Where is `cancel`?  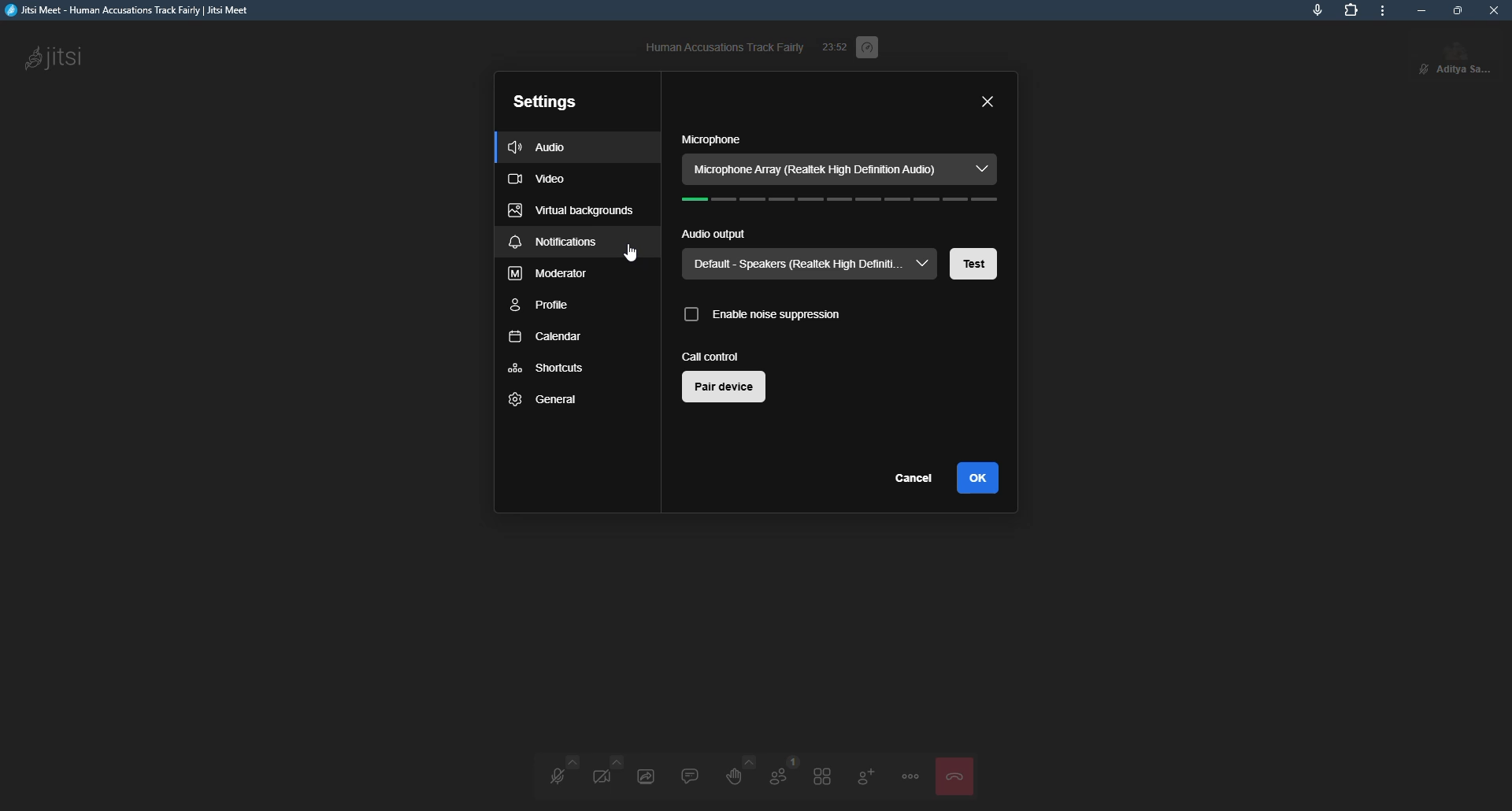
cancel is located at coordinates (912, 476).